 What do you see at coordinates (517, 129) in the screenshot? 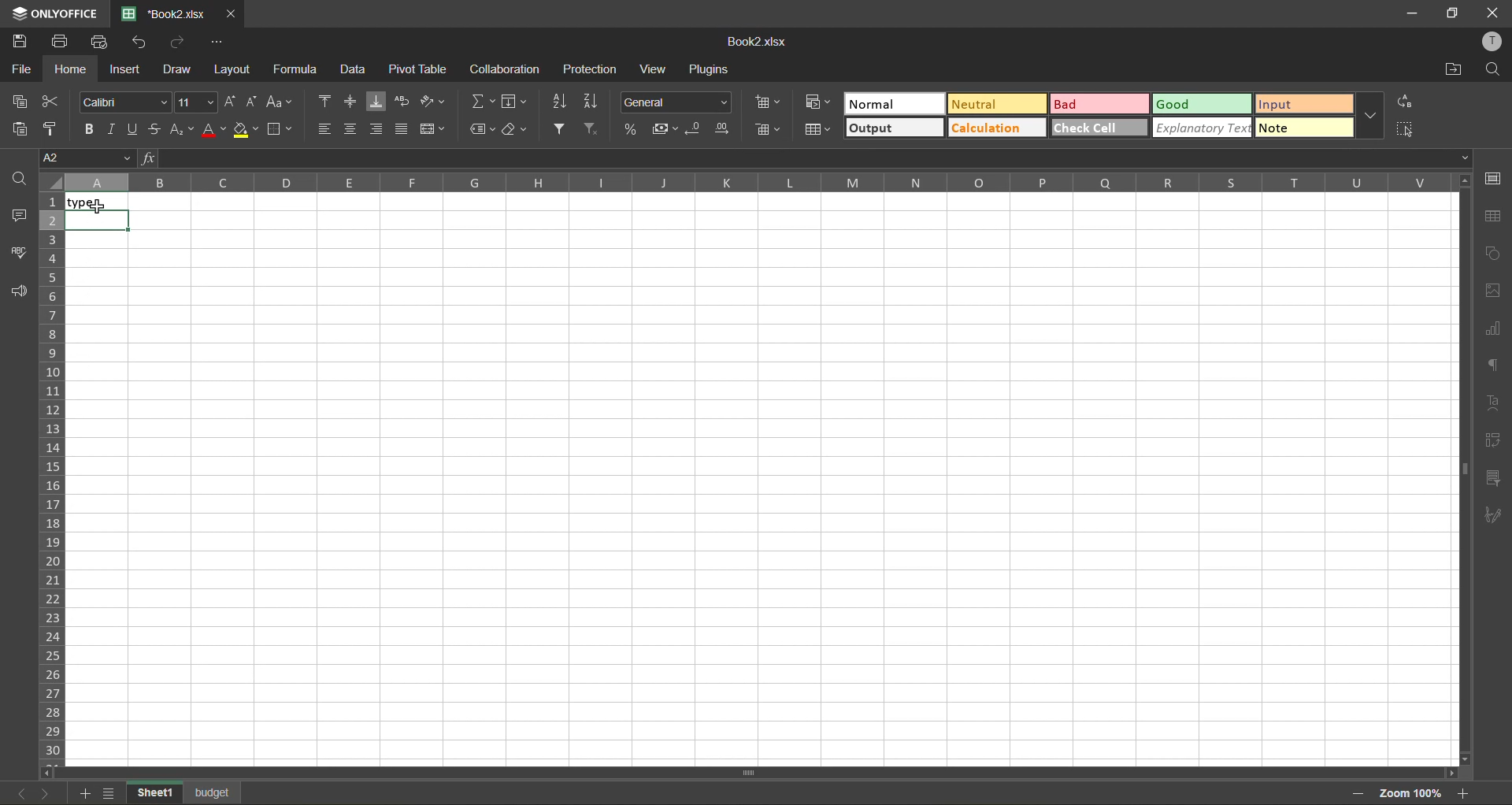
I see `clear` at bounding box center [517, 129].